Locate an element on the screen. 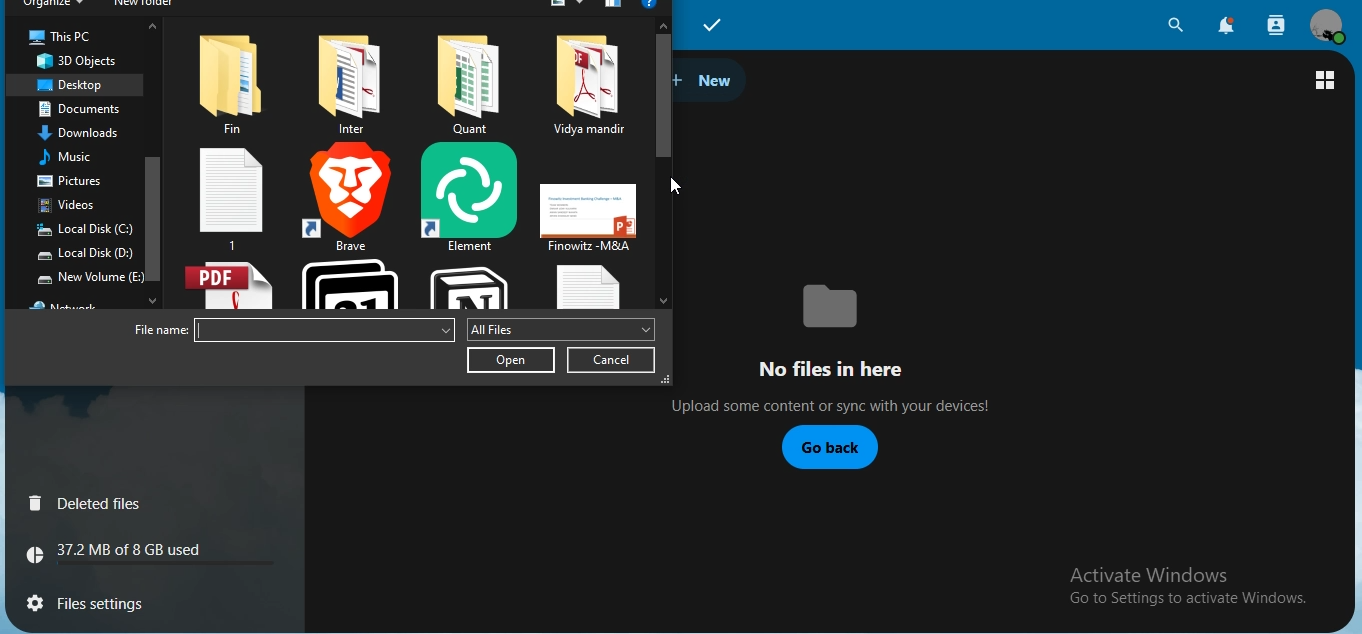 Image resolution: width=1362 pixels, height=634 pixels. videos is located at coordinates (74, 204).